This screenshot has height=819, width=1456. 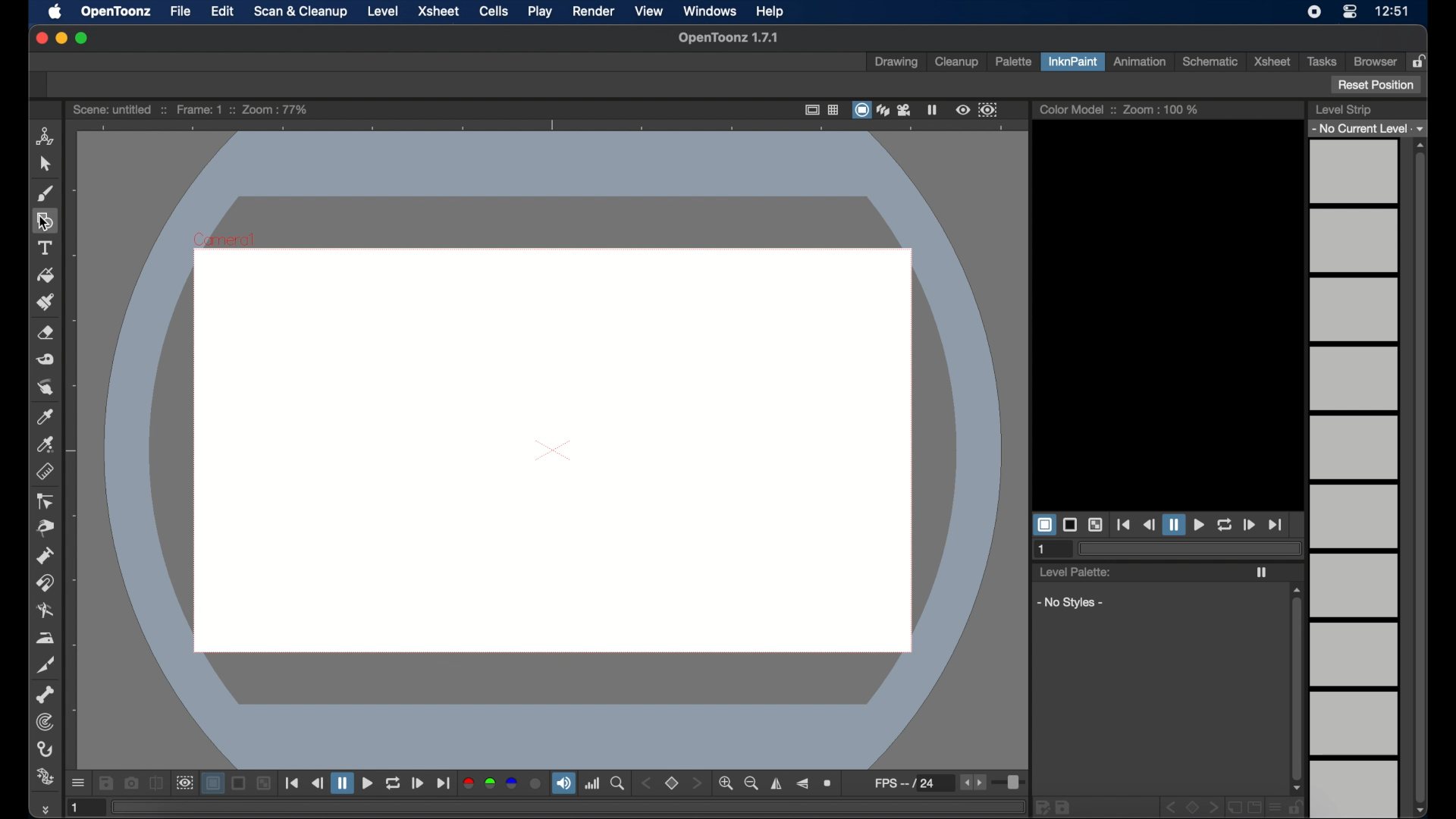 What do you see at coordinates (1224, 525) in the screenshot?
I see `loop` at bounding box center [1224, 525].